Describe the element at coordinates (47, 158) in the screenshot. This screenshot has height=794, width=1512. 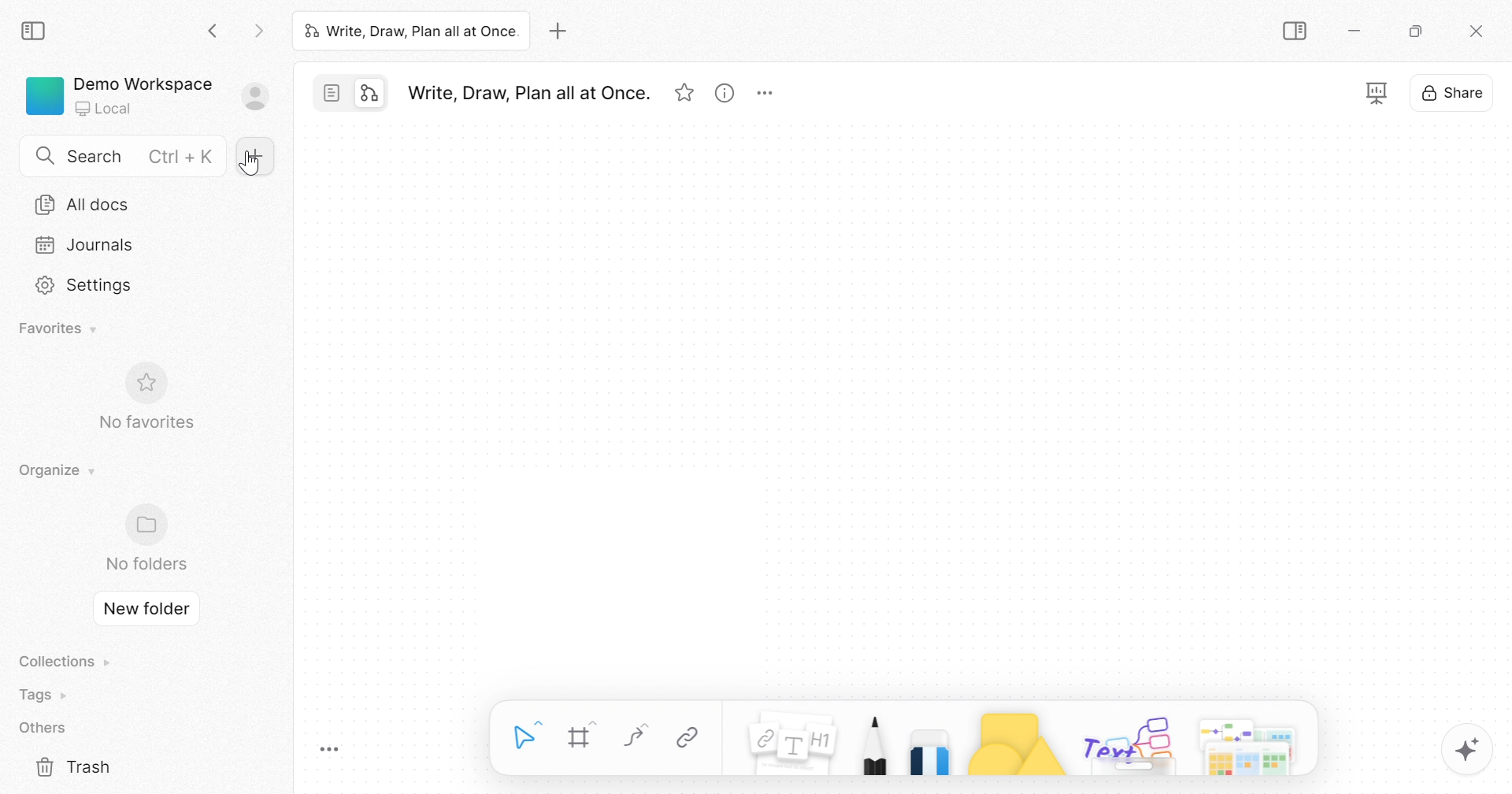
I see `Search icon` at that location.